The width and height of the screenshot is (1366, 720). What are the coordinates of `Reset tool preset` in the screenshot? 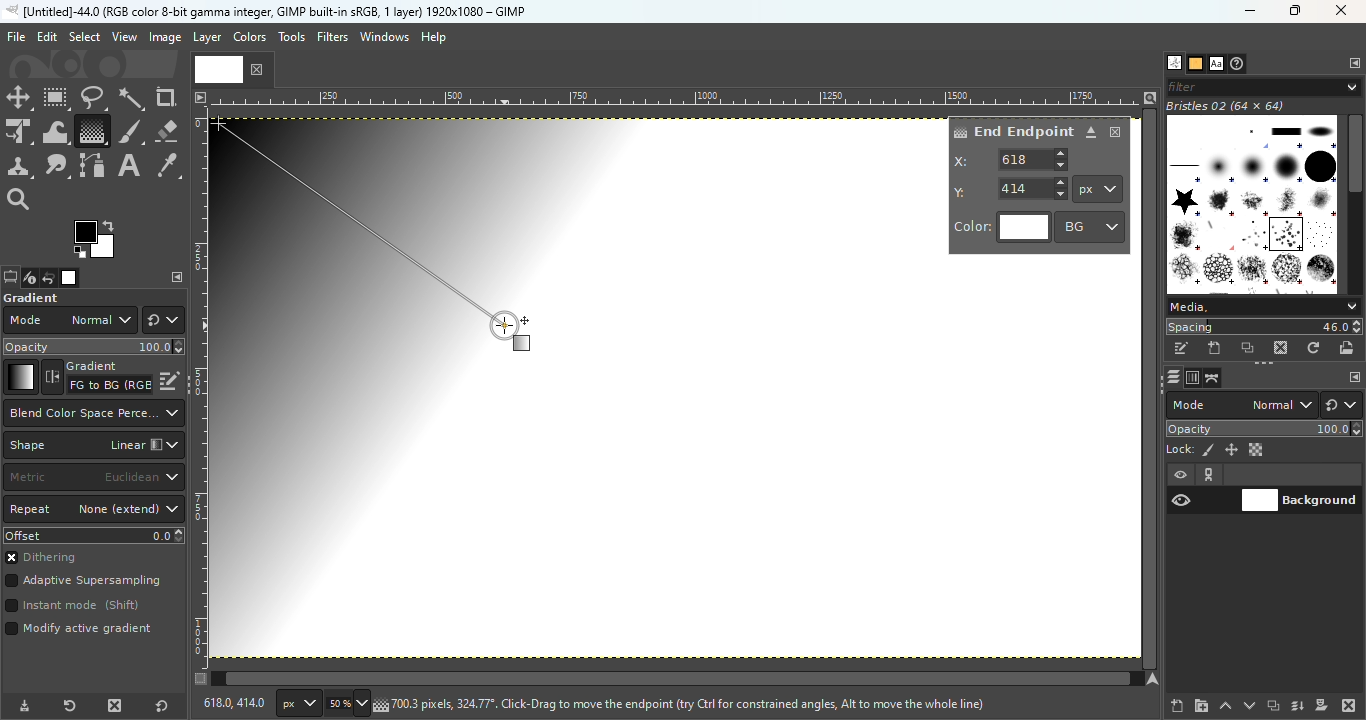 It's located at (67, 707).